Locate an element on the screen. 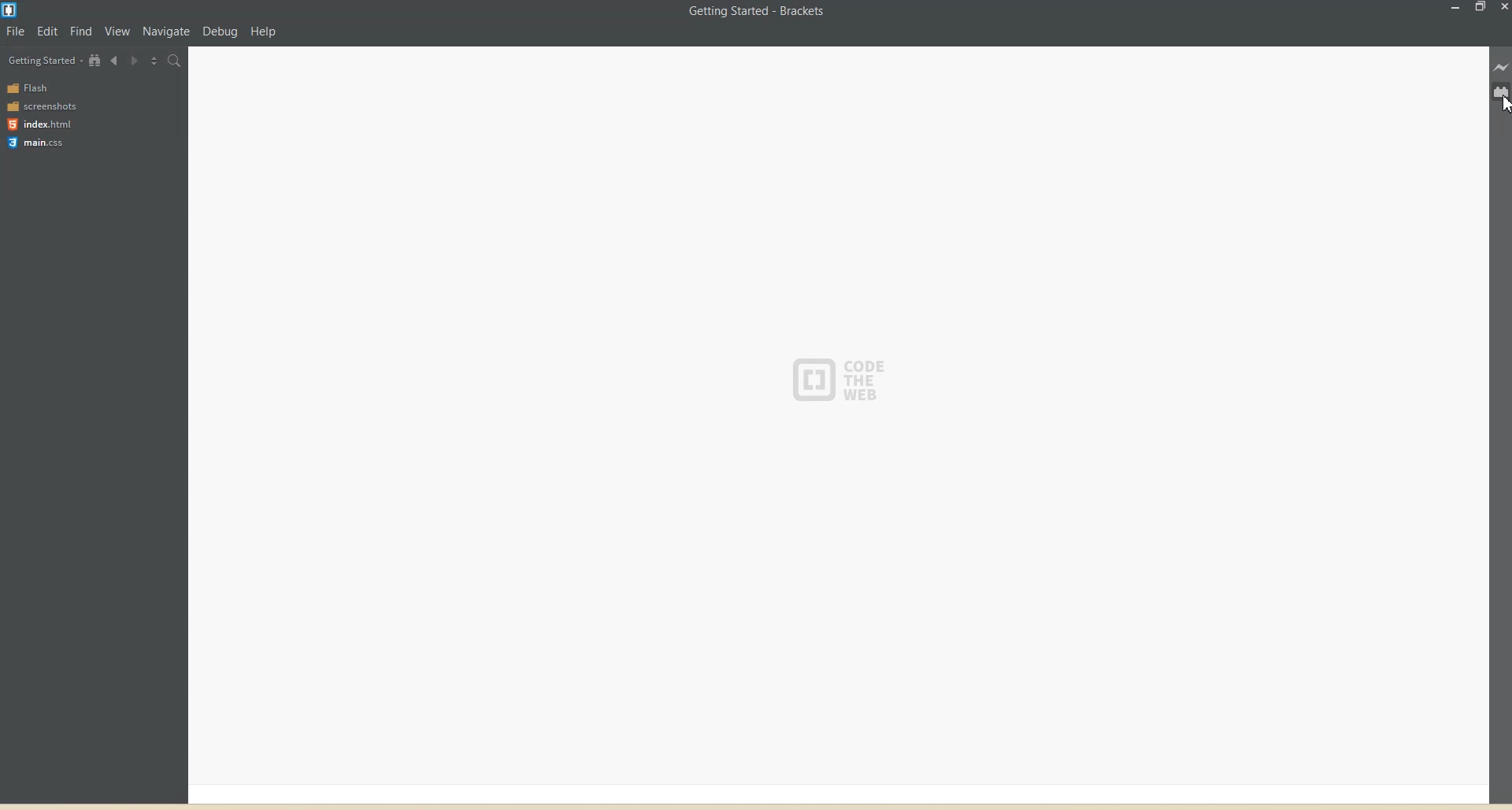  Help is located at coordinates (263, 31).